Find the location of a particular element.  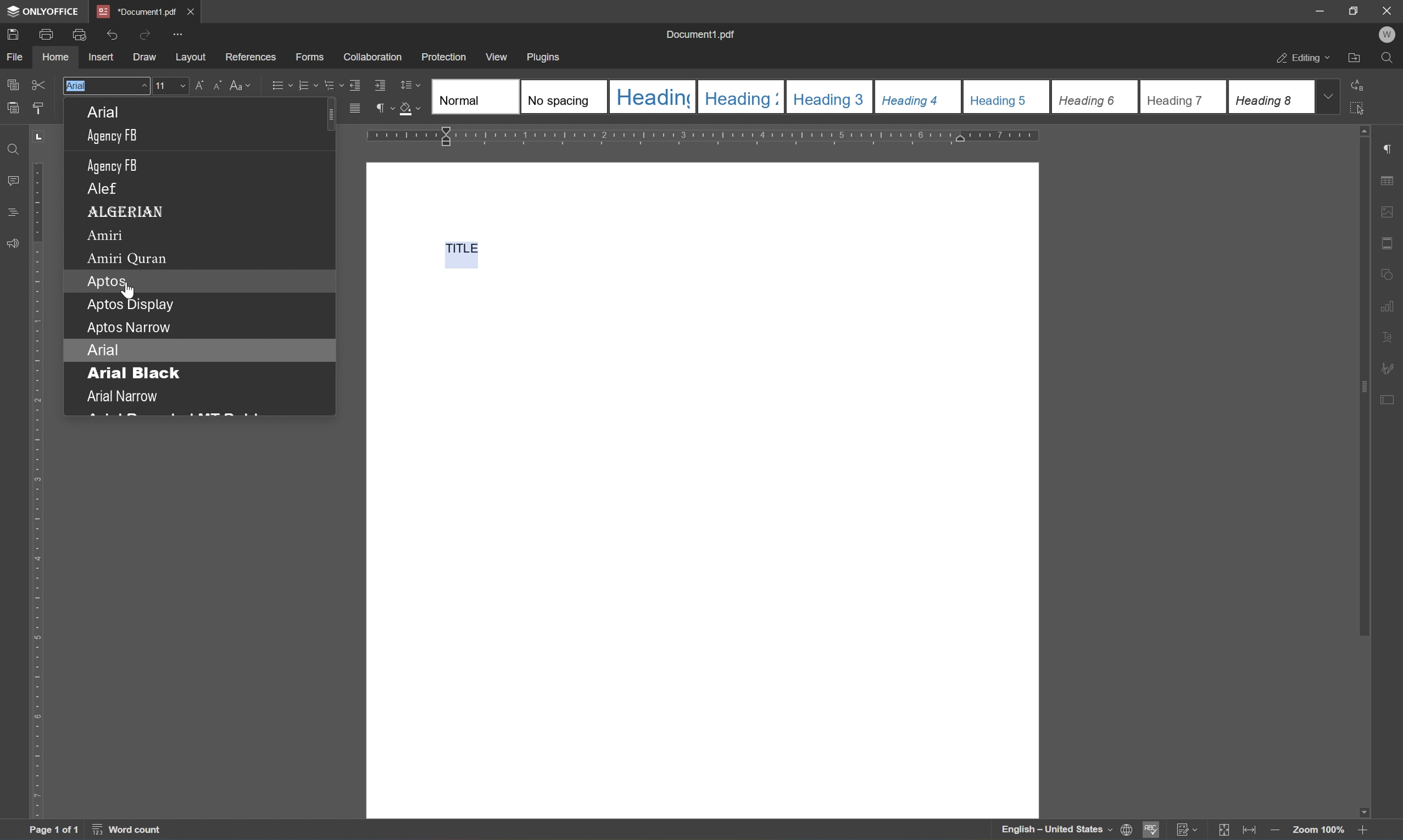

shape settings is located at coordinates (1390, 273).